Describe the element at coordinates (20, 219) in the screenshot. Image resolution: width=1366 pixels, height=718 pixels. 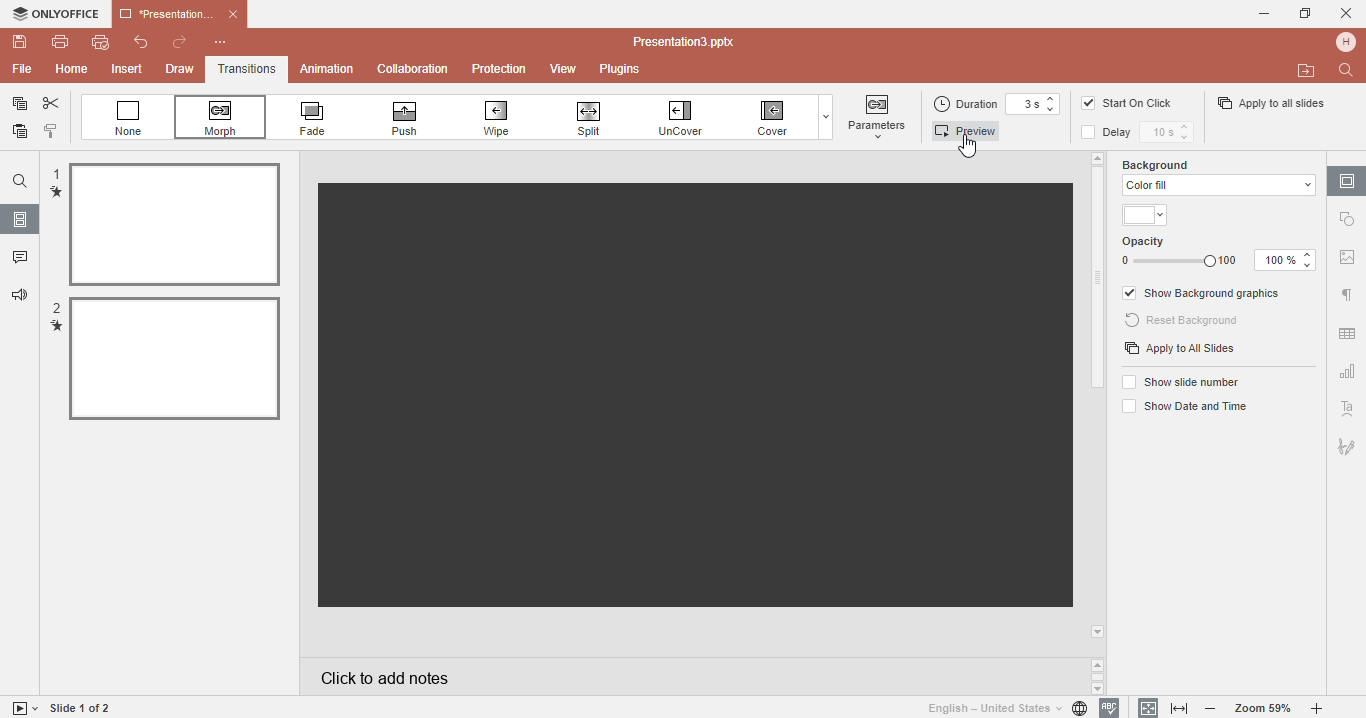
I see `Slides ` at that location.